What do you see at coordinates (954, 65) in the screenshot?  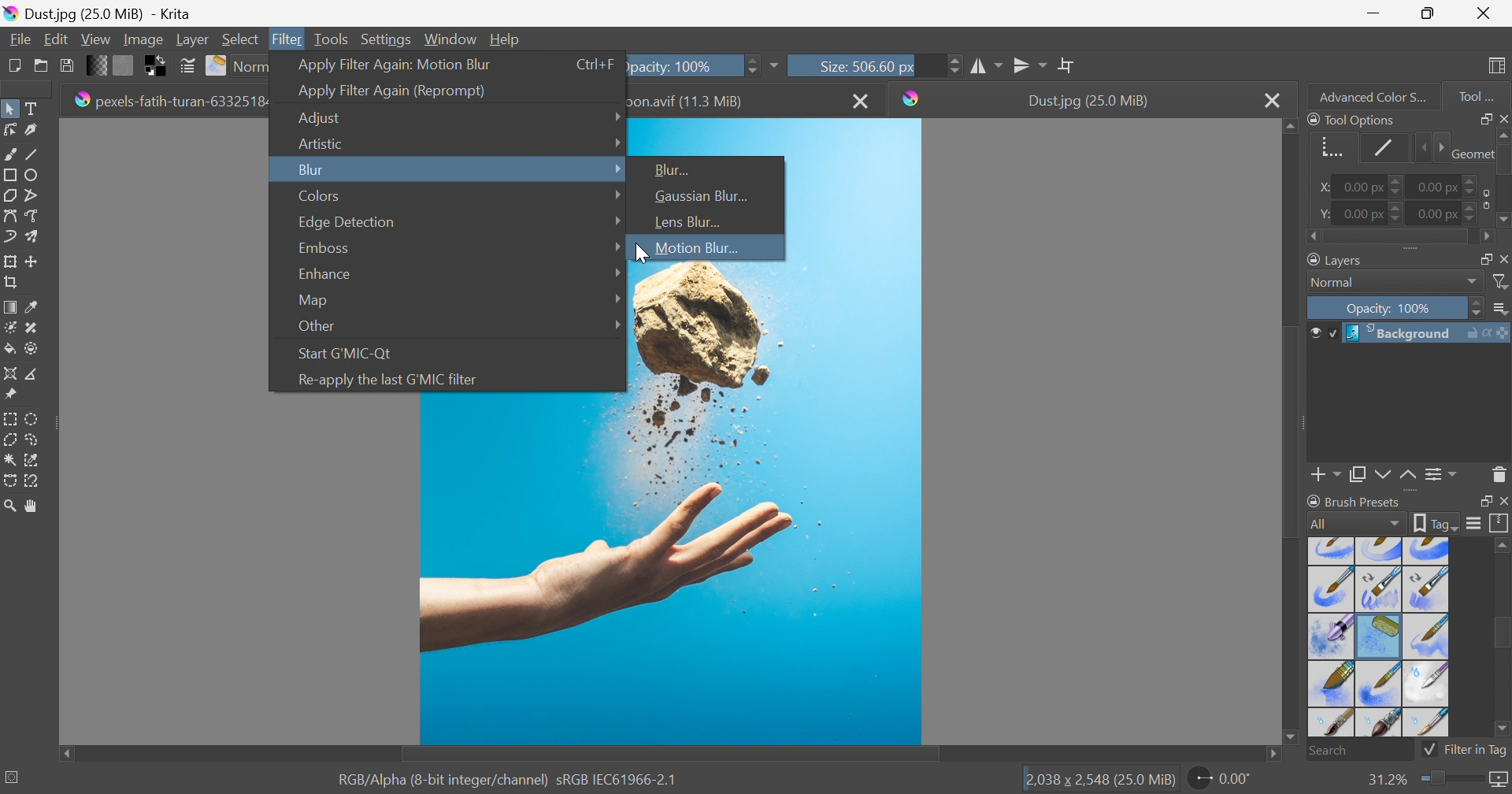 I see `Slider` at bounding box center [954, 65].